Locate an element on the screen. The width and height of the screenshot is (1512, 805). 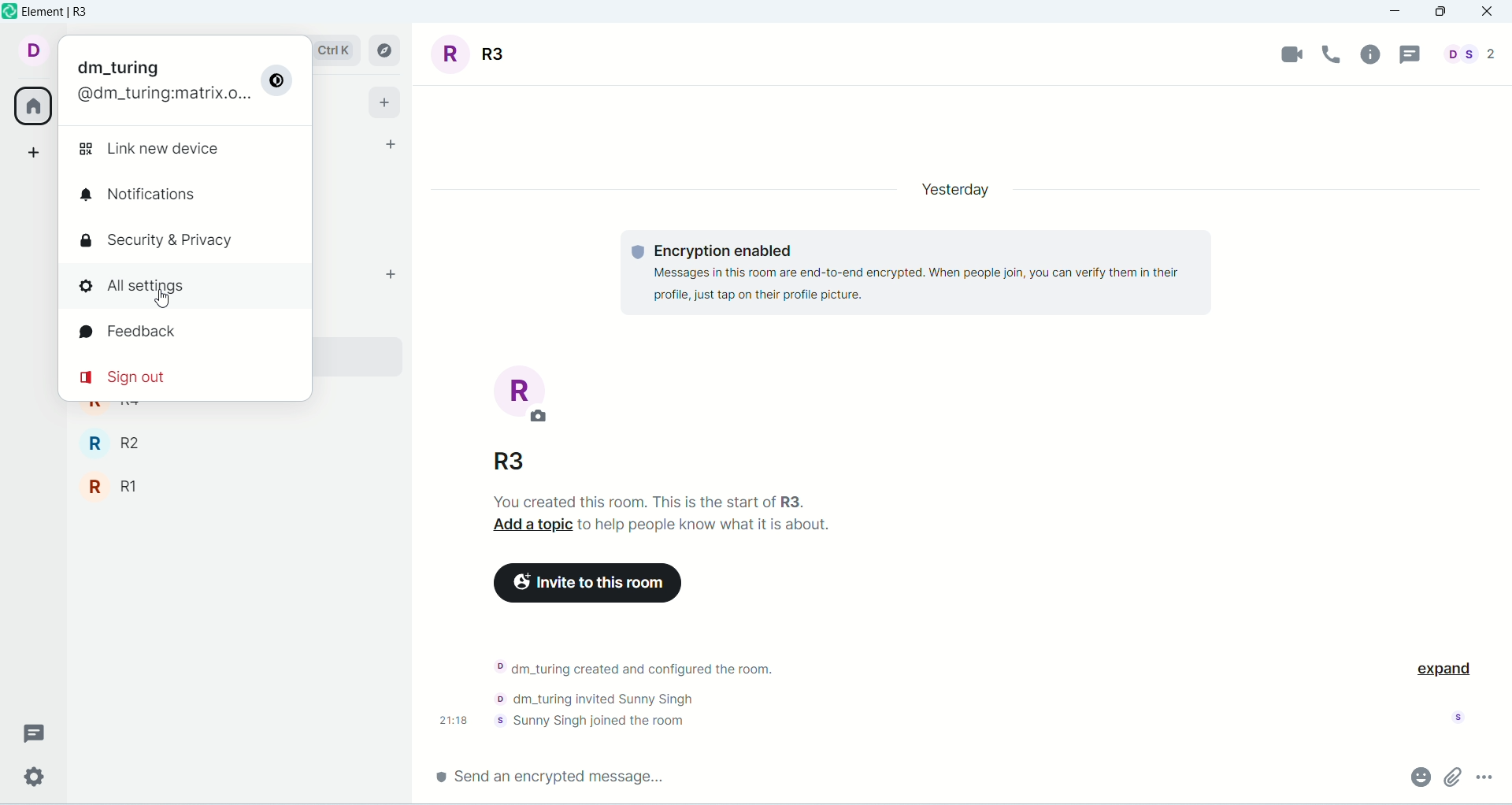
logo is located at coordinates (9, 14).